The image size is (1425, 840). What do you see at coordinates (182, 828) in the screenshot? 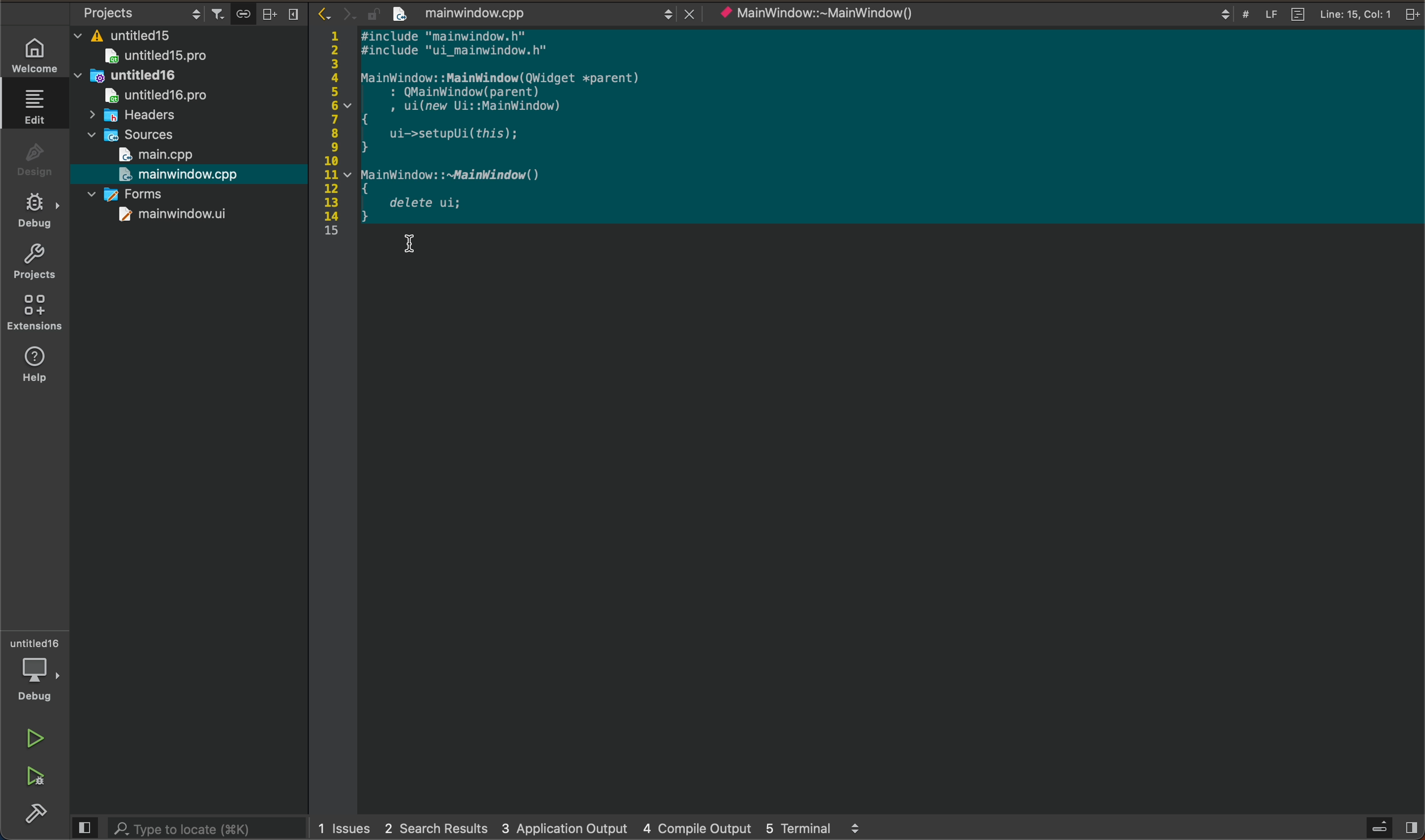
I see `Type to locate` at bounding box center [182, 828].